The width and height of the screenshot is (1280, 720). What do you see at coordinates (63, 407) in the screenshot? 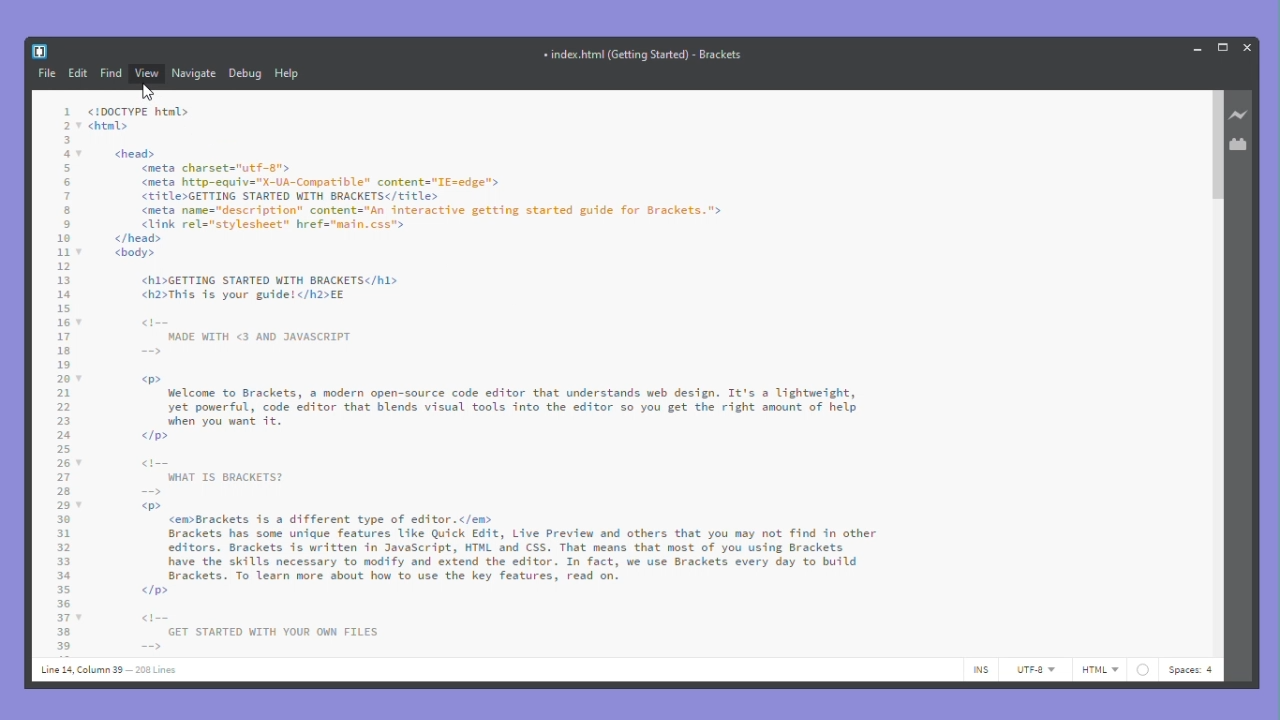
I see `22` at bounding box center [63, 407].